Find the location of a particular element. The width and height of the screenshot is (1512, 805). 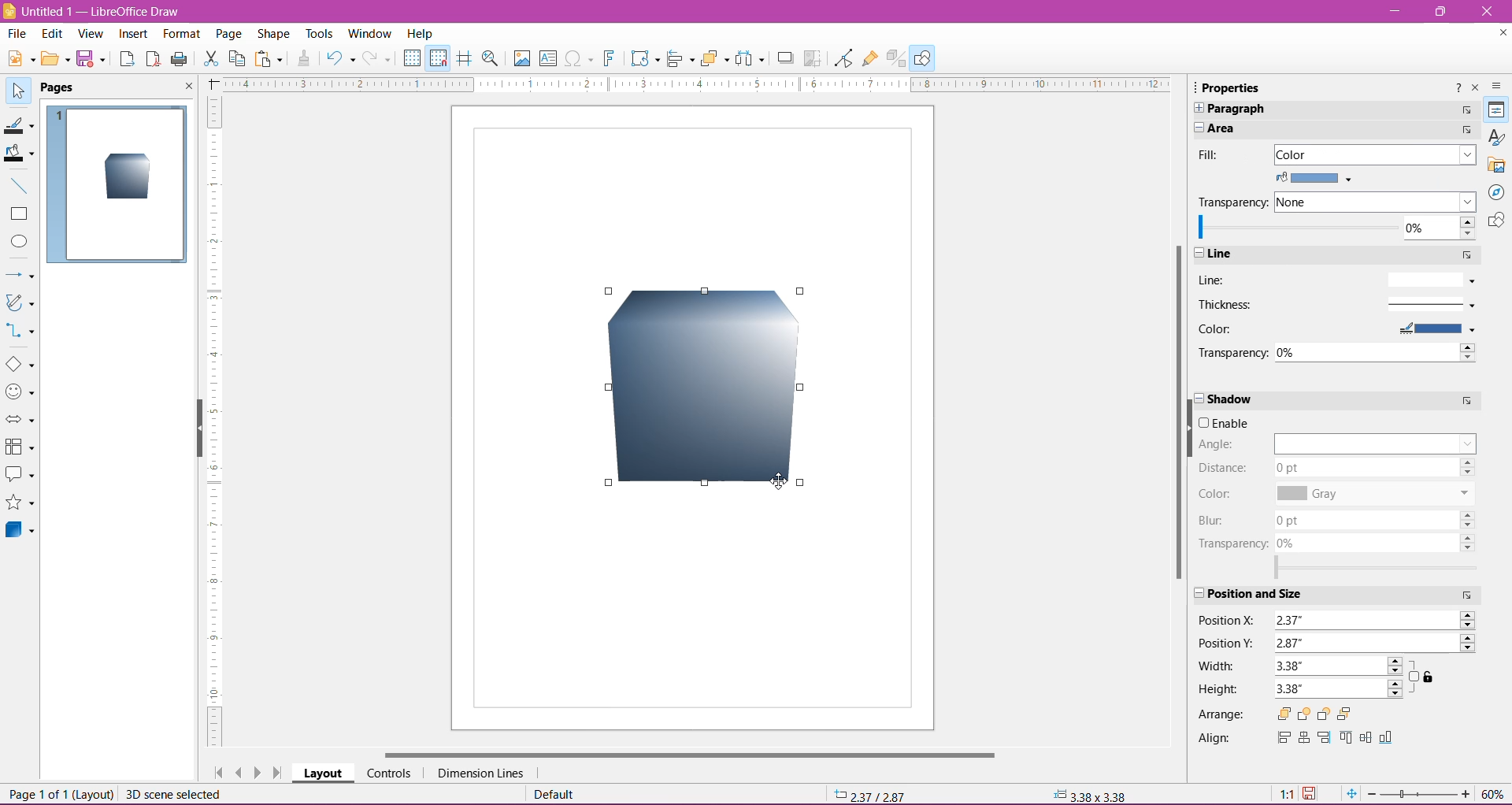

View is located at coordinates (91, 35).